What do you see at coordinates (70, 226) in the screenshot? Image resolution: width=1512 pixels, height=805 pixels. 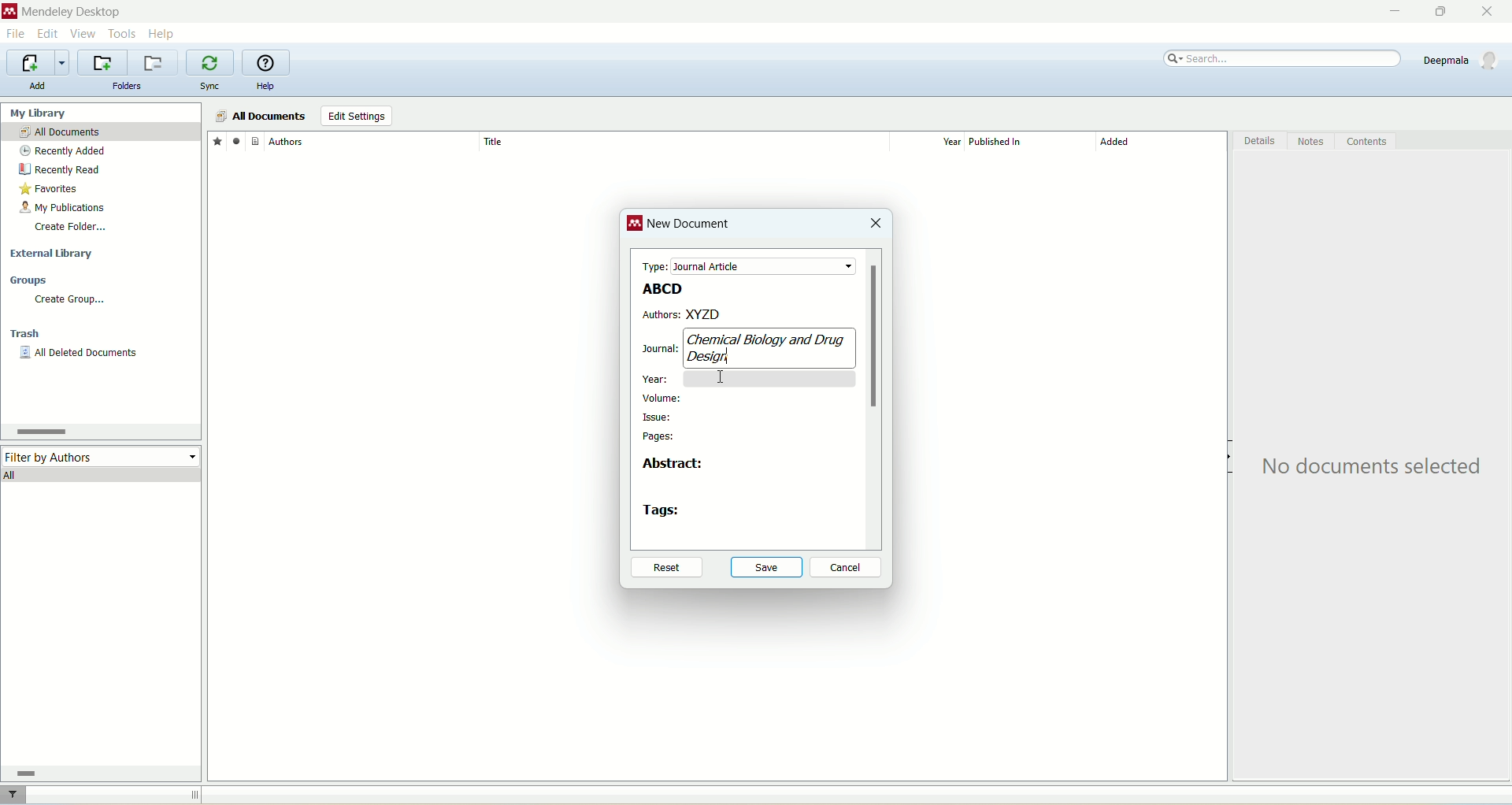 I see `create folder` at bounding box center [70, 226].